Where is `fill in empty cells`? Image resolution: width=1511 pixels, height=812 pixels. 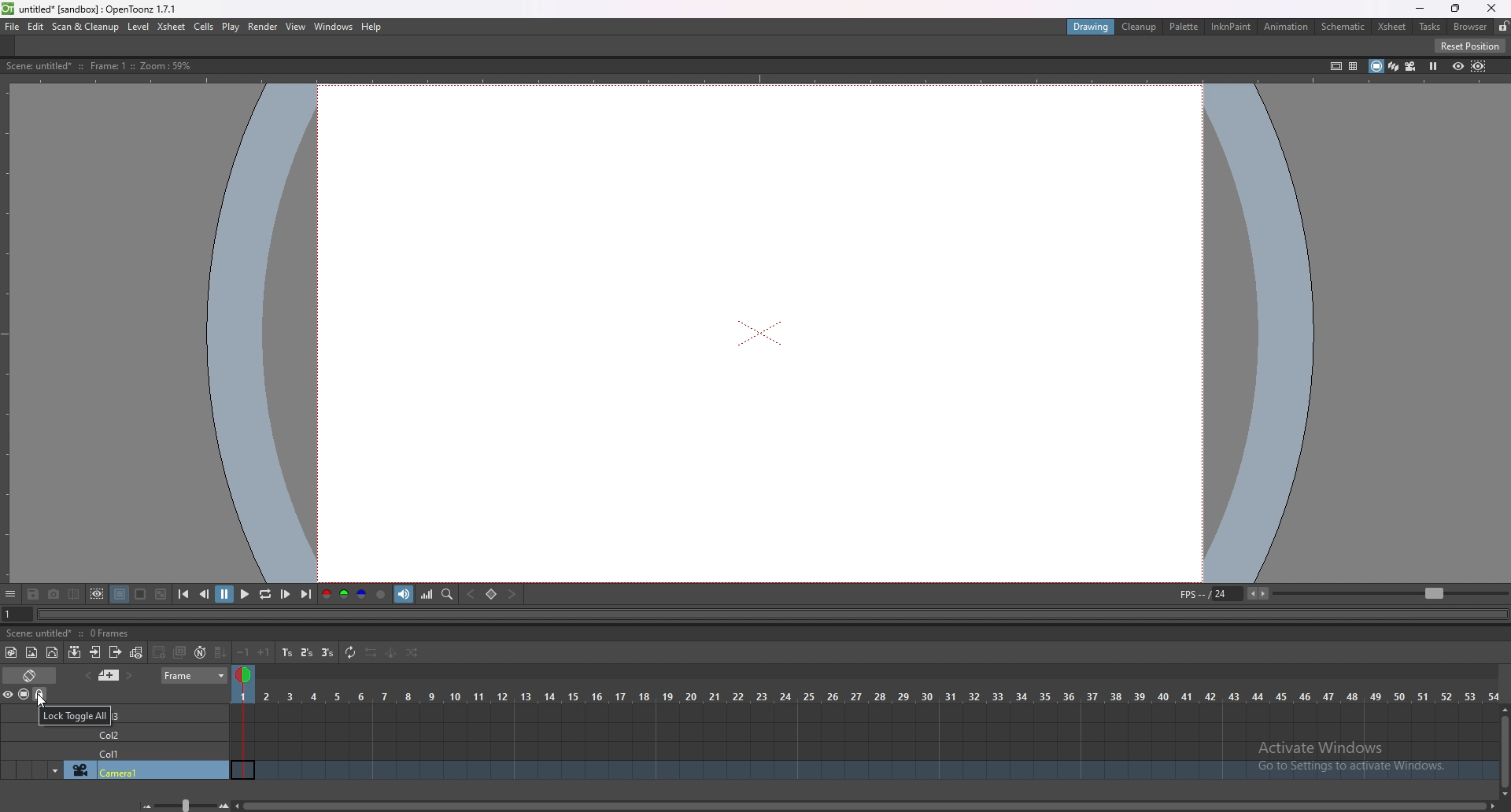 fill in empty cells is located at coordinates (220, 653).